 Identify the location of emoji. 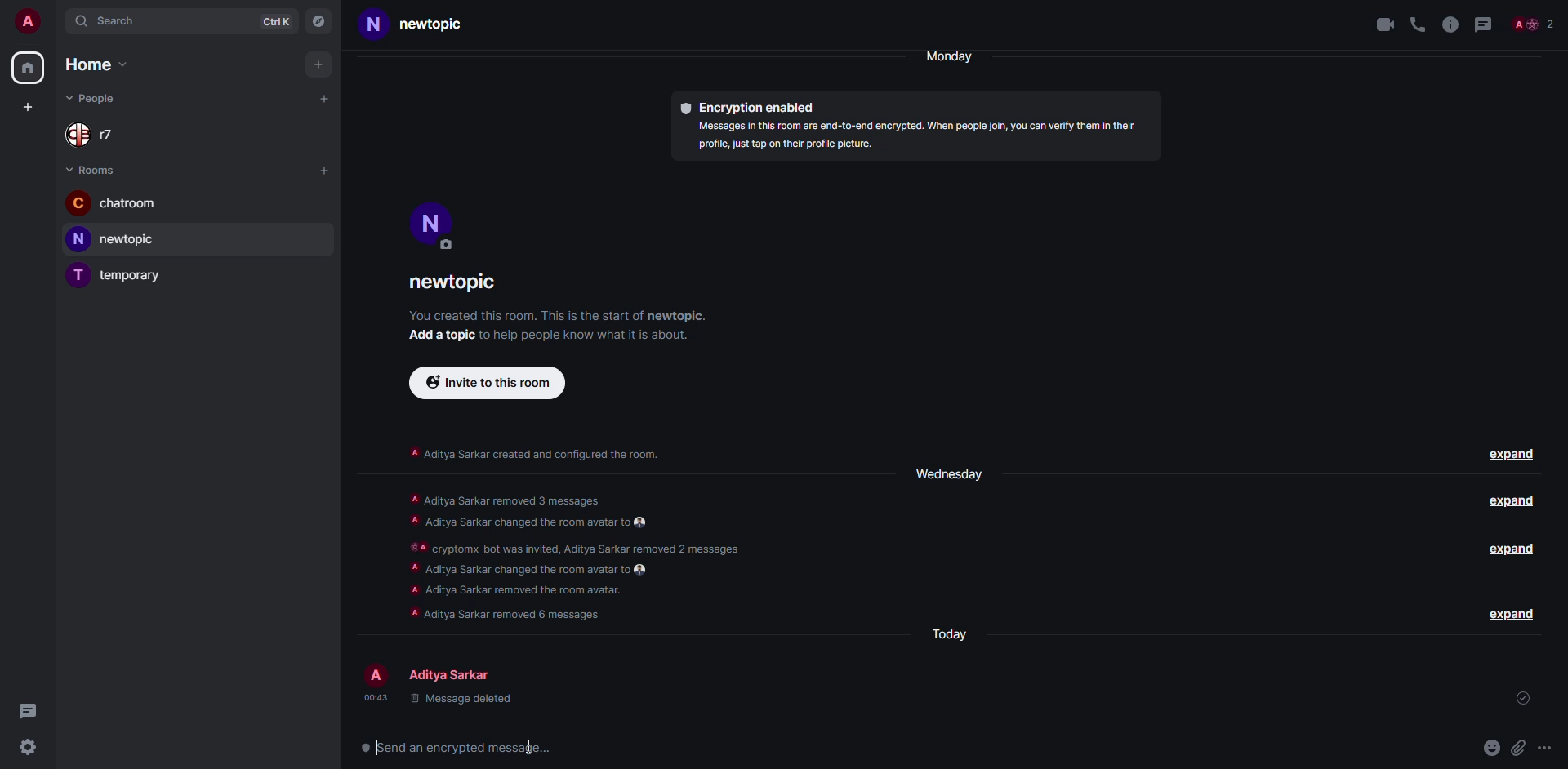
(1490, 748).